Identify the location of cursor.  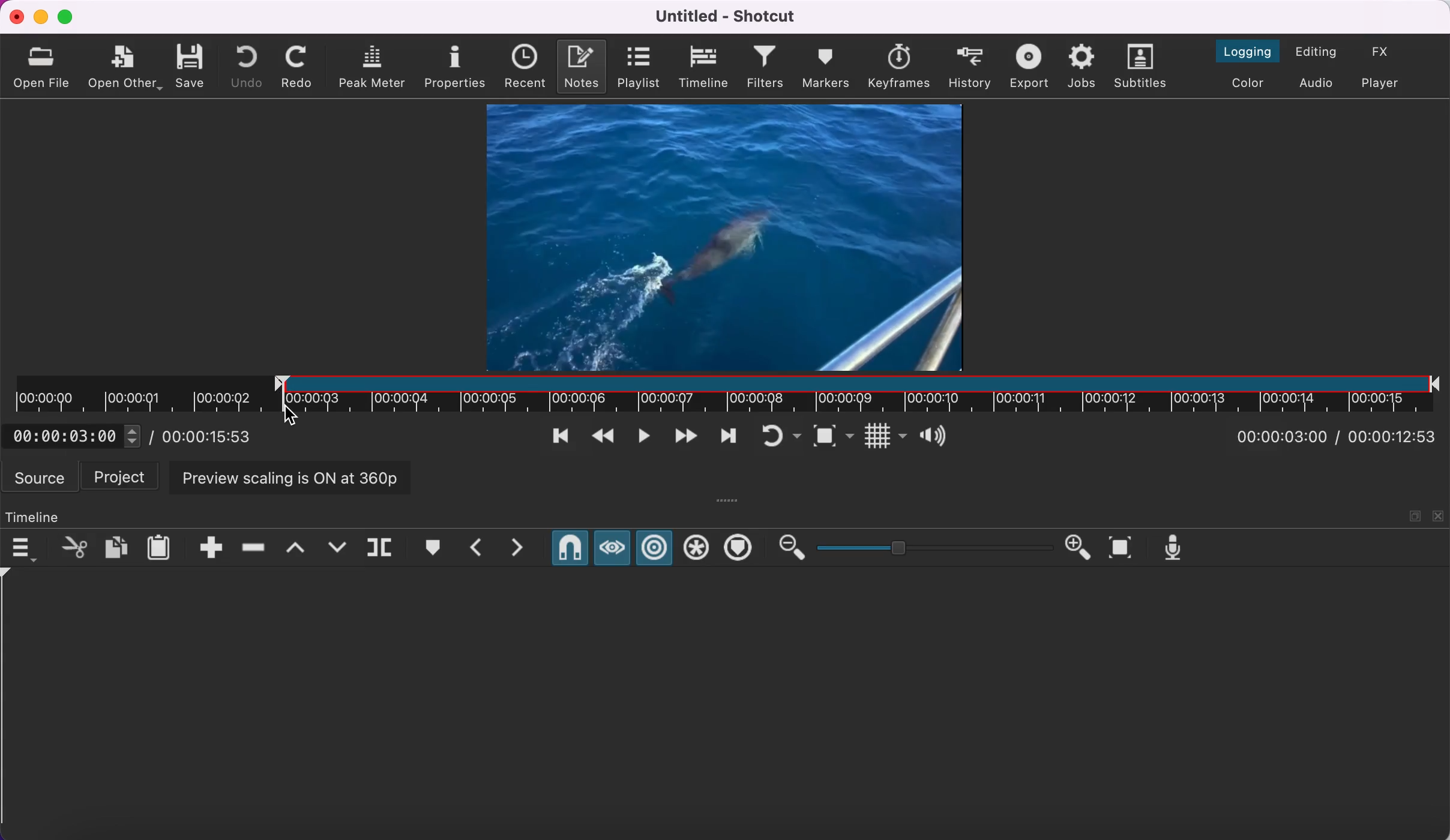
(301, 418).